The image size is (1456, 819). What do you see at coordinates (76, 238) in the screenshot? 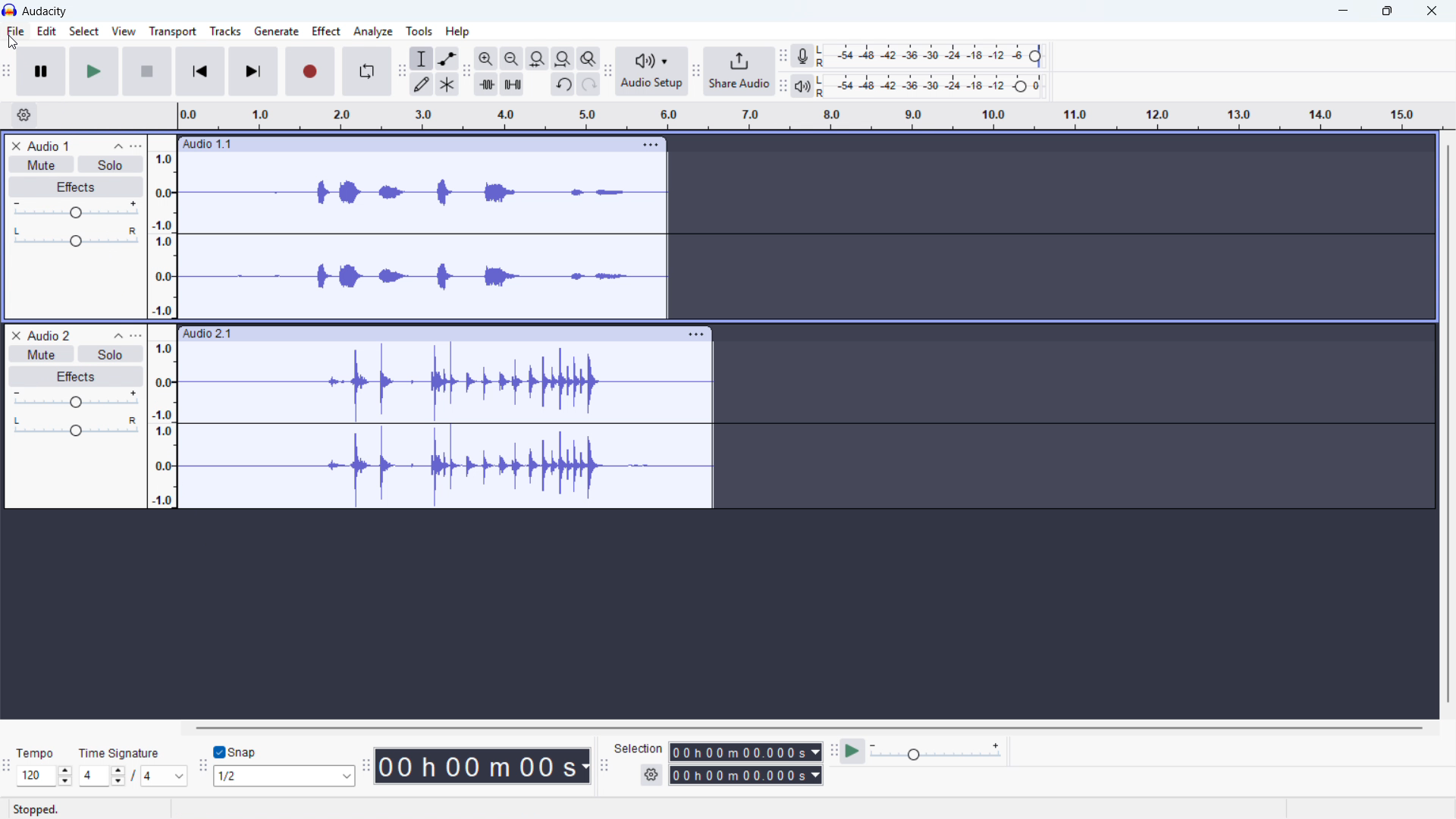
I see `Pan: centre` at bounding box center [76, 238].